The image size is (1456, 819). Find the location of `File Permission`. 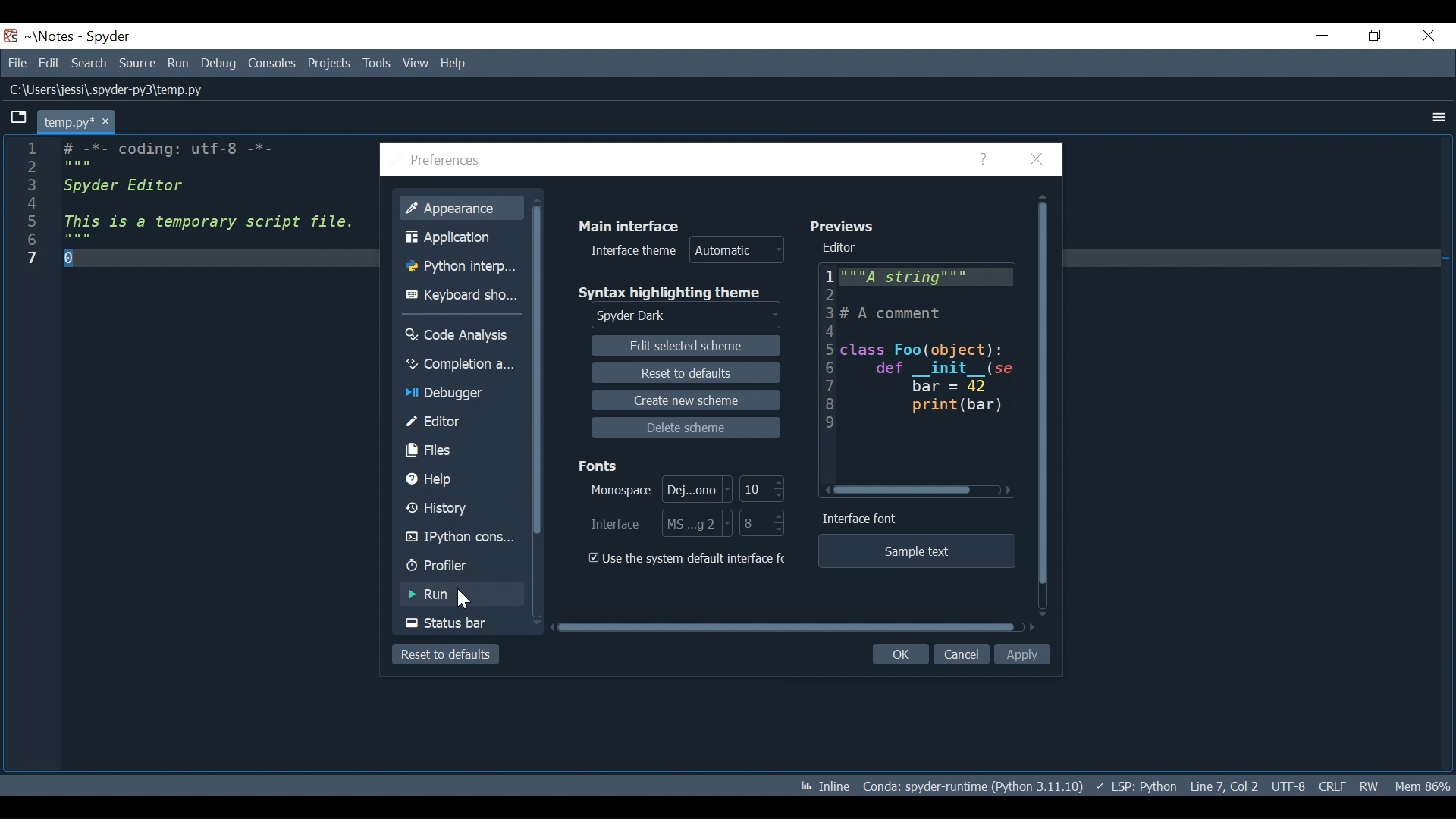

File Permission is located at coordinates (1374, 786).